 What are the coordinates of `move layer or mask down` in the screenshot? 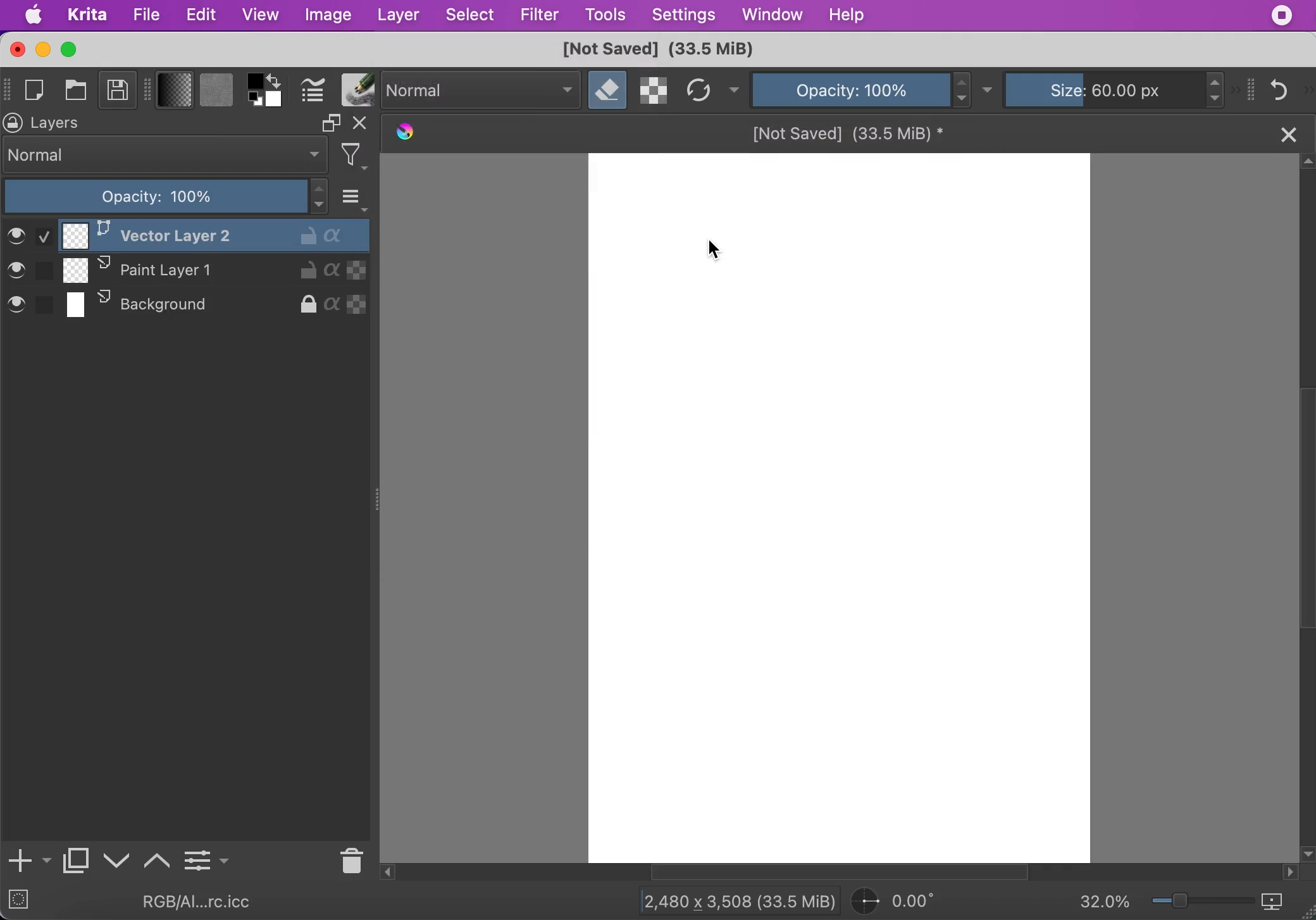 It's located at (117, 861).